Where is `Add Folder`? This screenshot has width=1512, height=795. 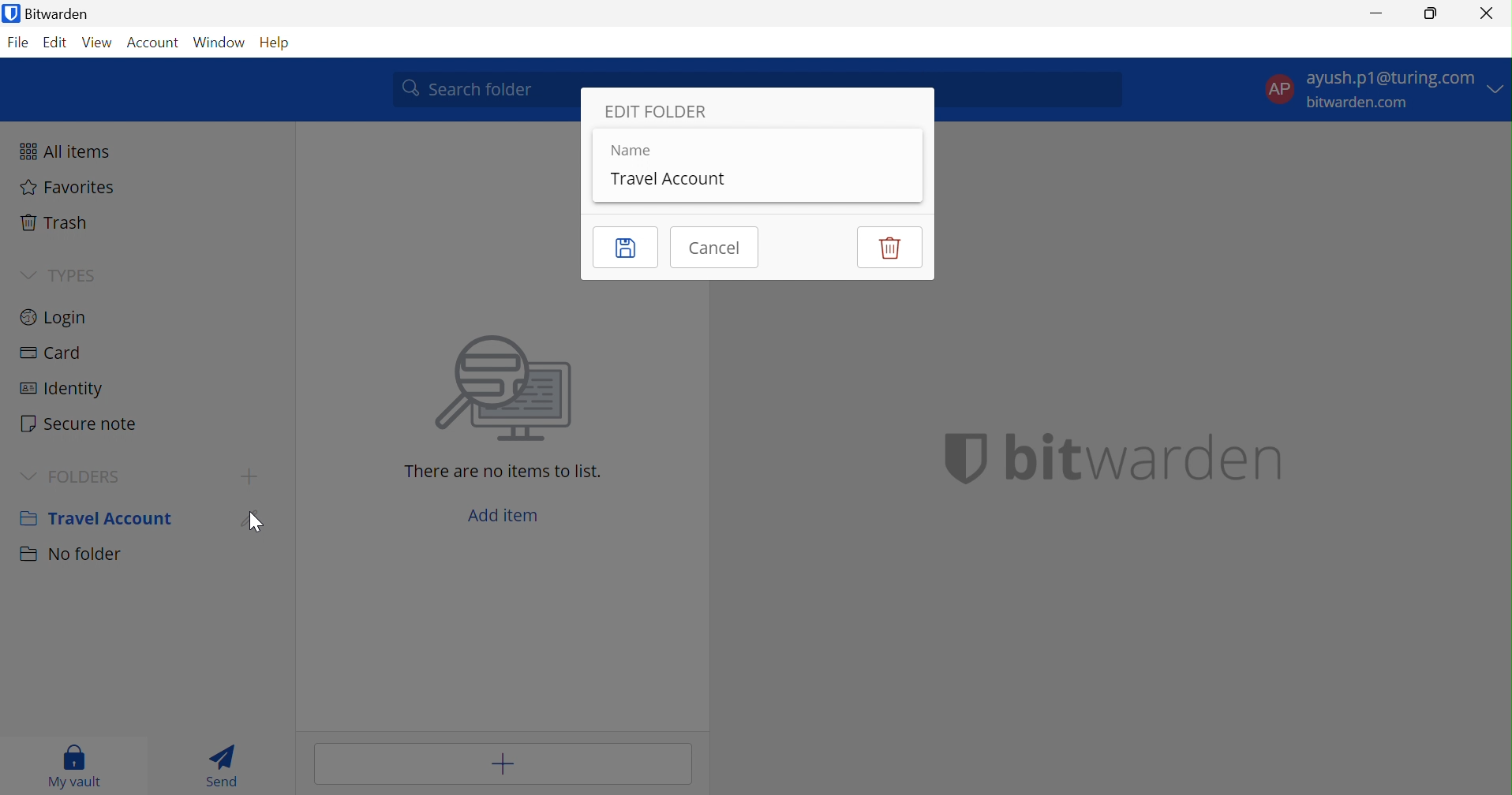 Add Folder is located at coordinates (249, 478).